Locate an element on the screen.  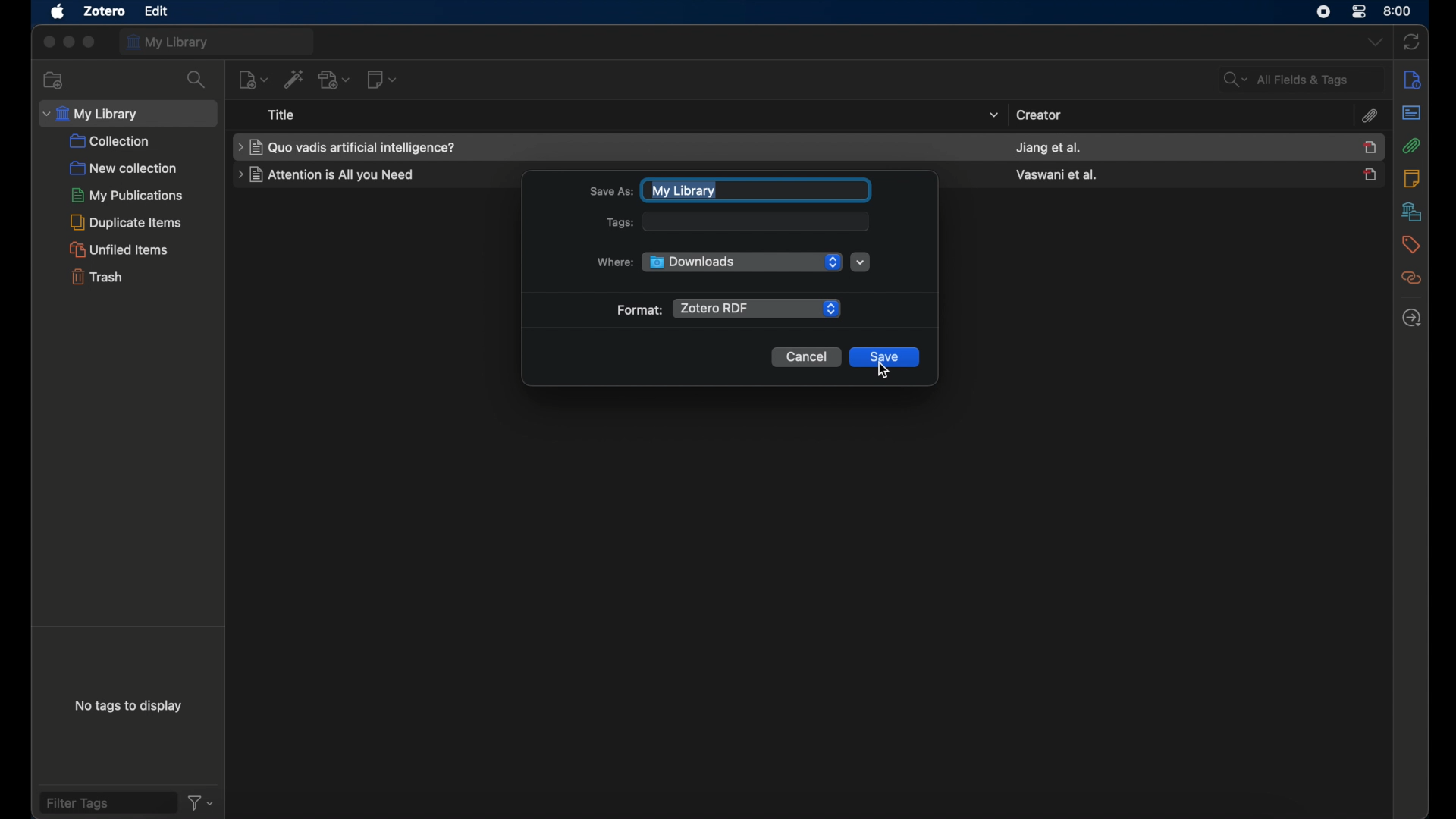
where dropdown menu is located at coordinates (862, 262).